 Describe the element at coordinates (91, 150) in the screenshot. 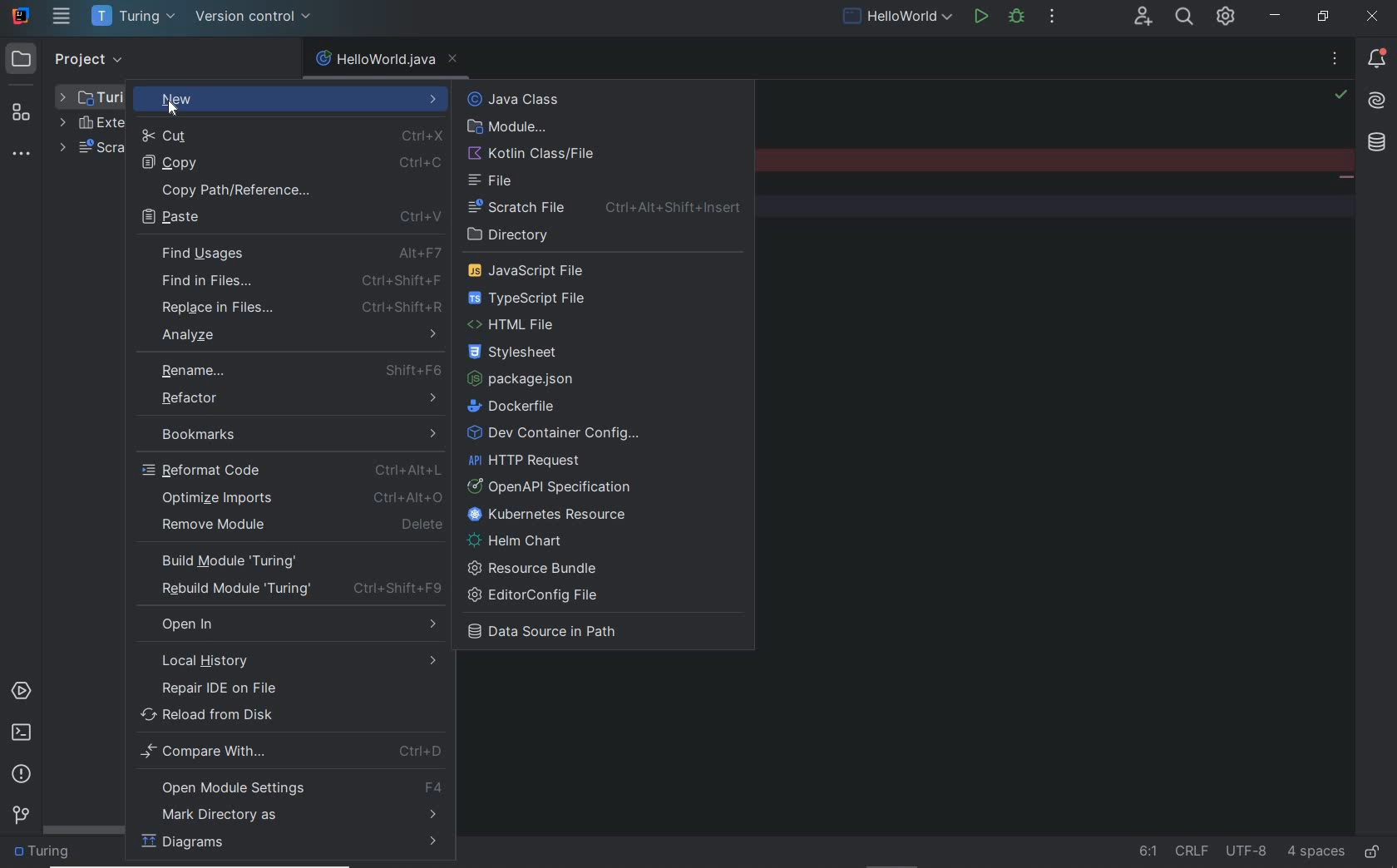

I see `scratches and consoles` at that location.